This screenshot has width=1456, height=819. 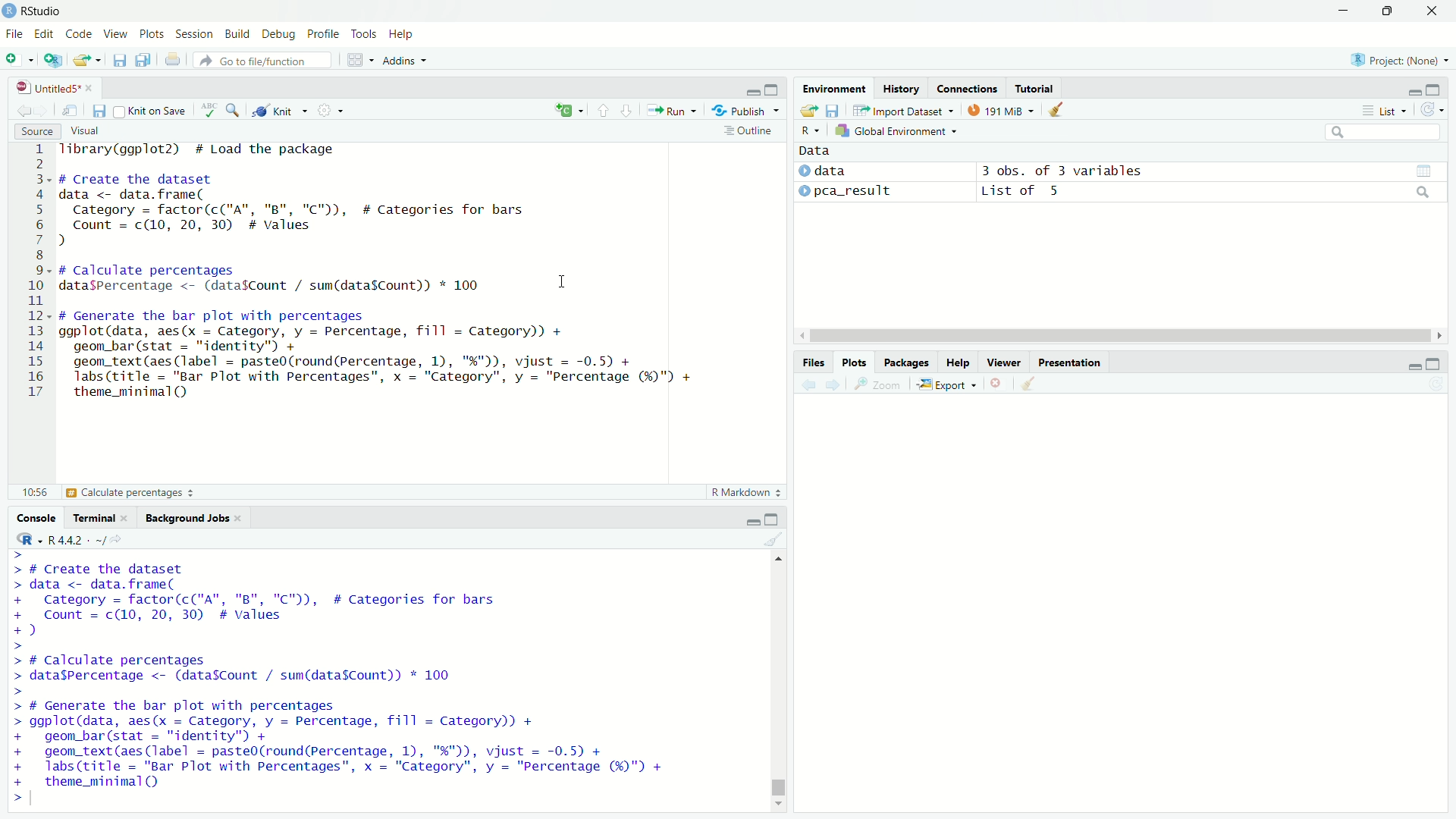 I want to click on go back, so click(x=24, y=111).